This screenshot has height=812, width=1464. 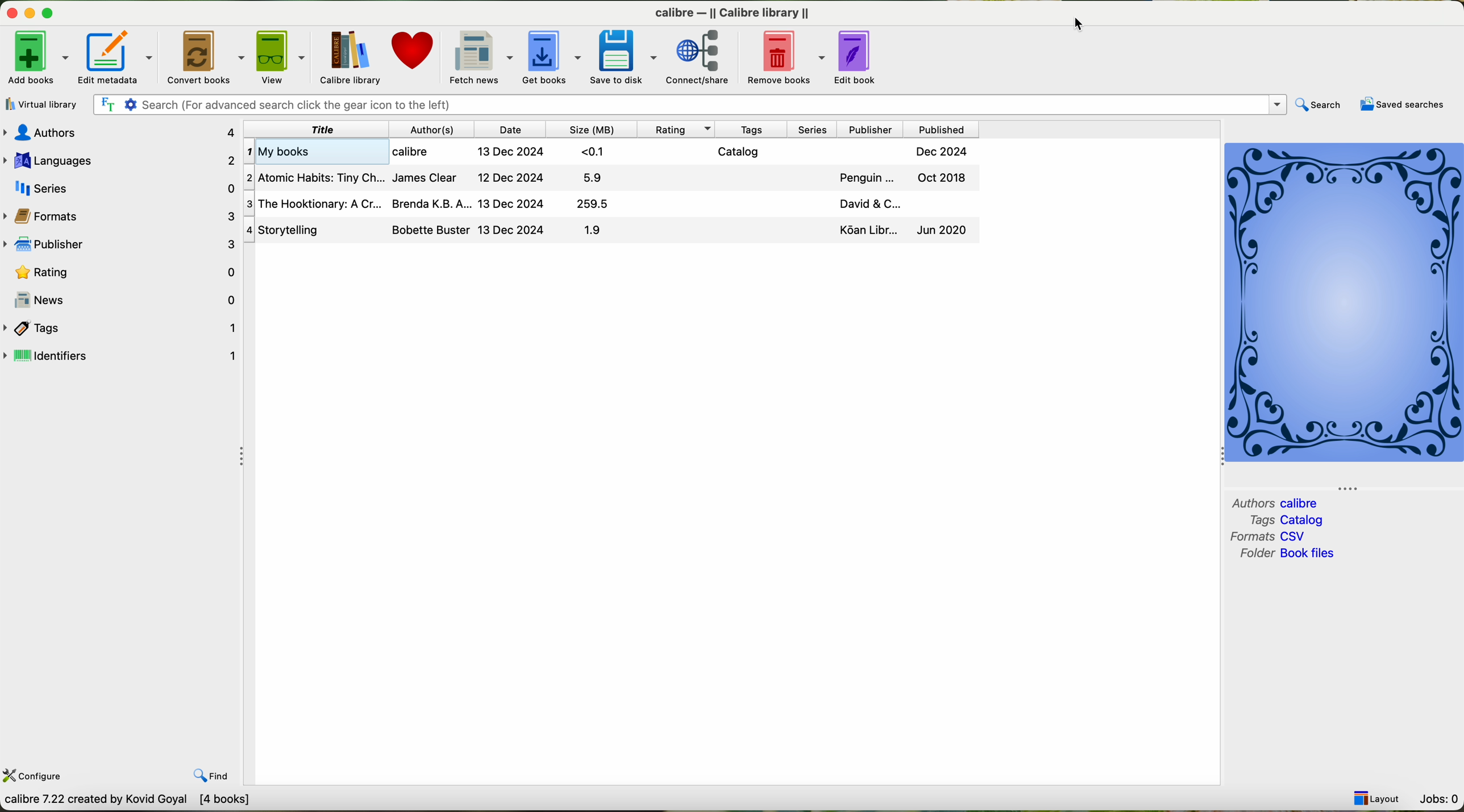 I want to click on tags, so click(x=123, y=328).